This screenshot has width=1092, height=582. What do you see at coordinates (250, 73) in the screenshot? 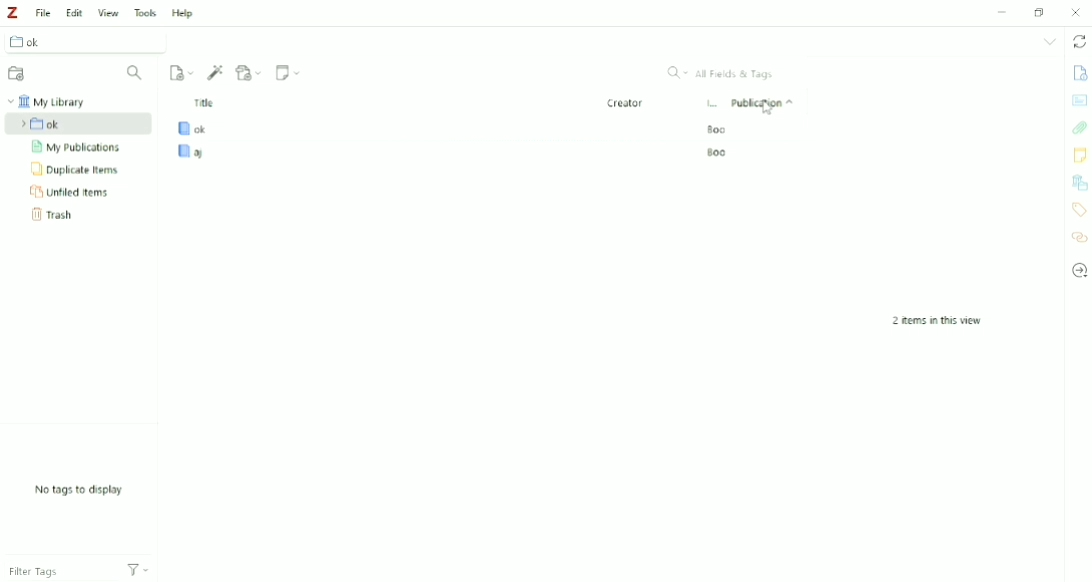
I see `Add Attachment` at bounding box center [250, 73].